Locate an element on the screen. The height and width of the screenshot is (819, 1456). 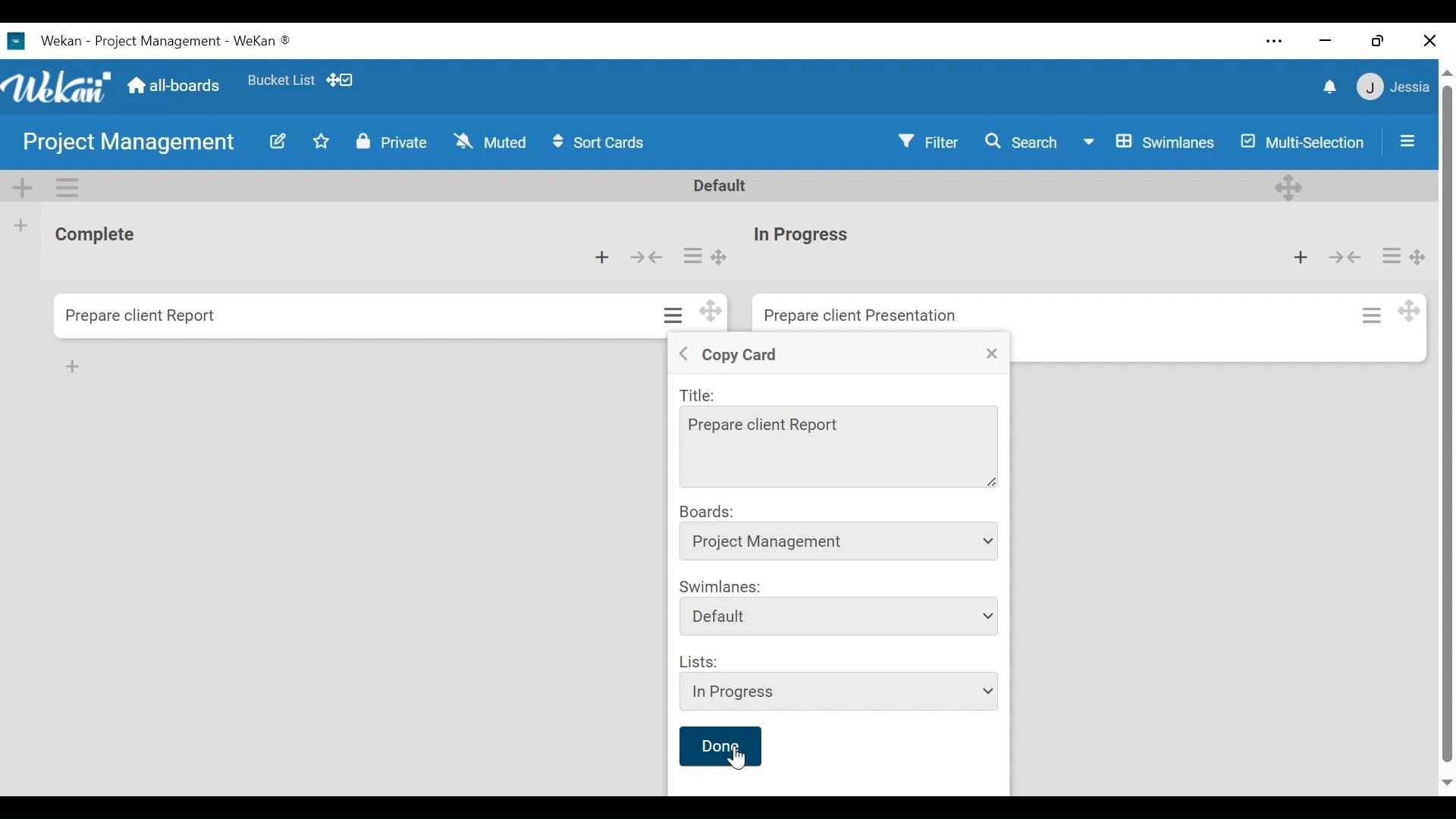
Desktop drag handle is located at coordinates (723, 255).